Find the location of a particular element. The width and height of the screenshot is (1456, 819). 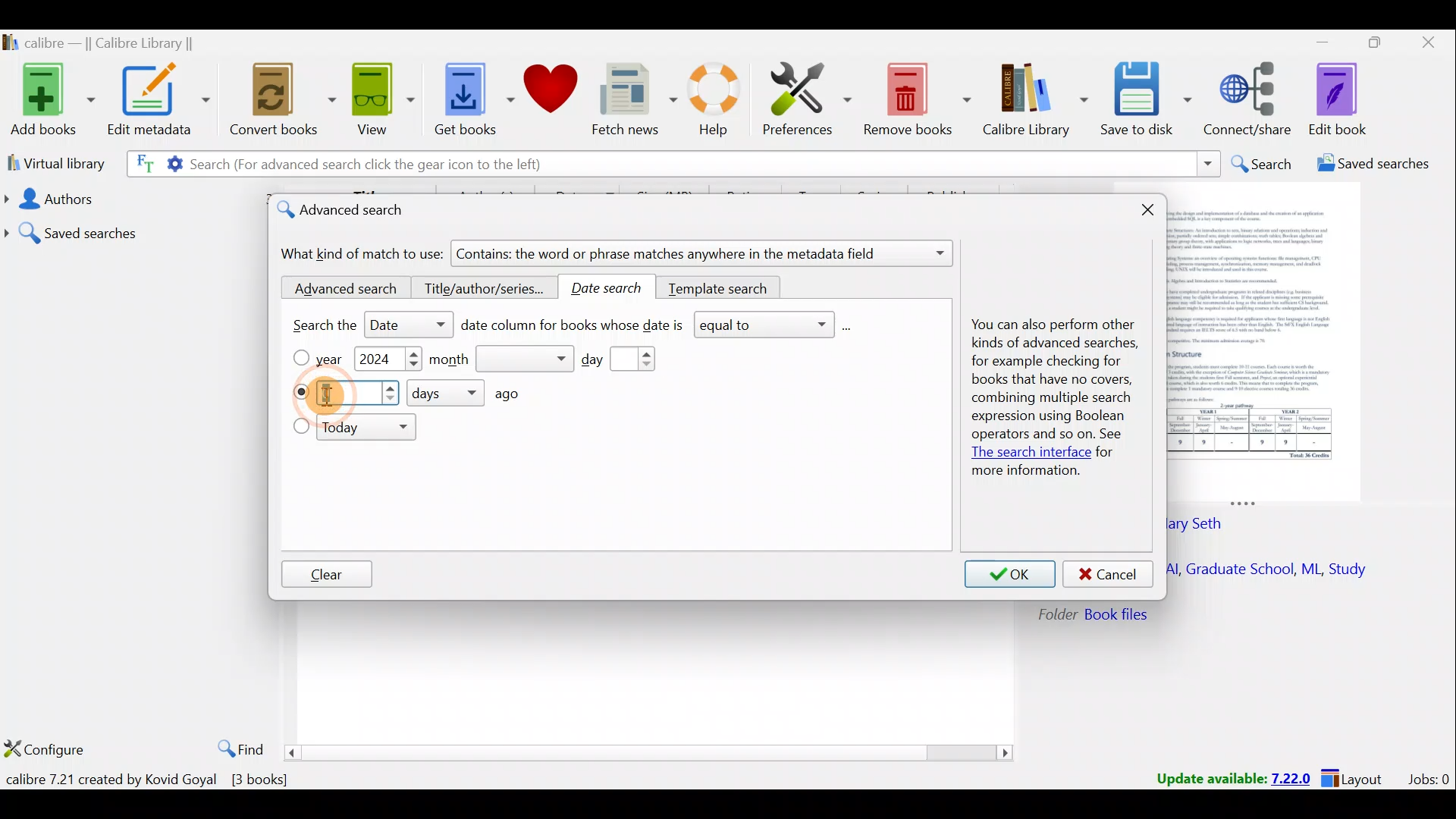

Connect/share is located at coordinates (1251, 100).